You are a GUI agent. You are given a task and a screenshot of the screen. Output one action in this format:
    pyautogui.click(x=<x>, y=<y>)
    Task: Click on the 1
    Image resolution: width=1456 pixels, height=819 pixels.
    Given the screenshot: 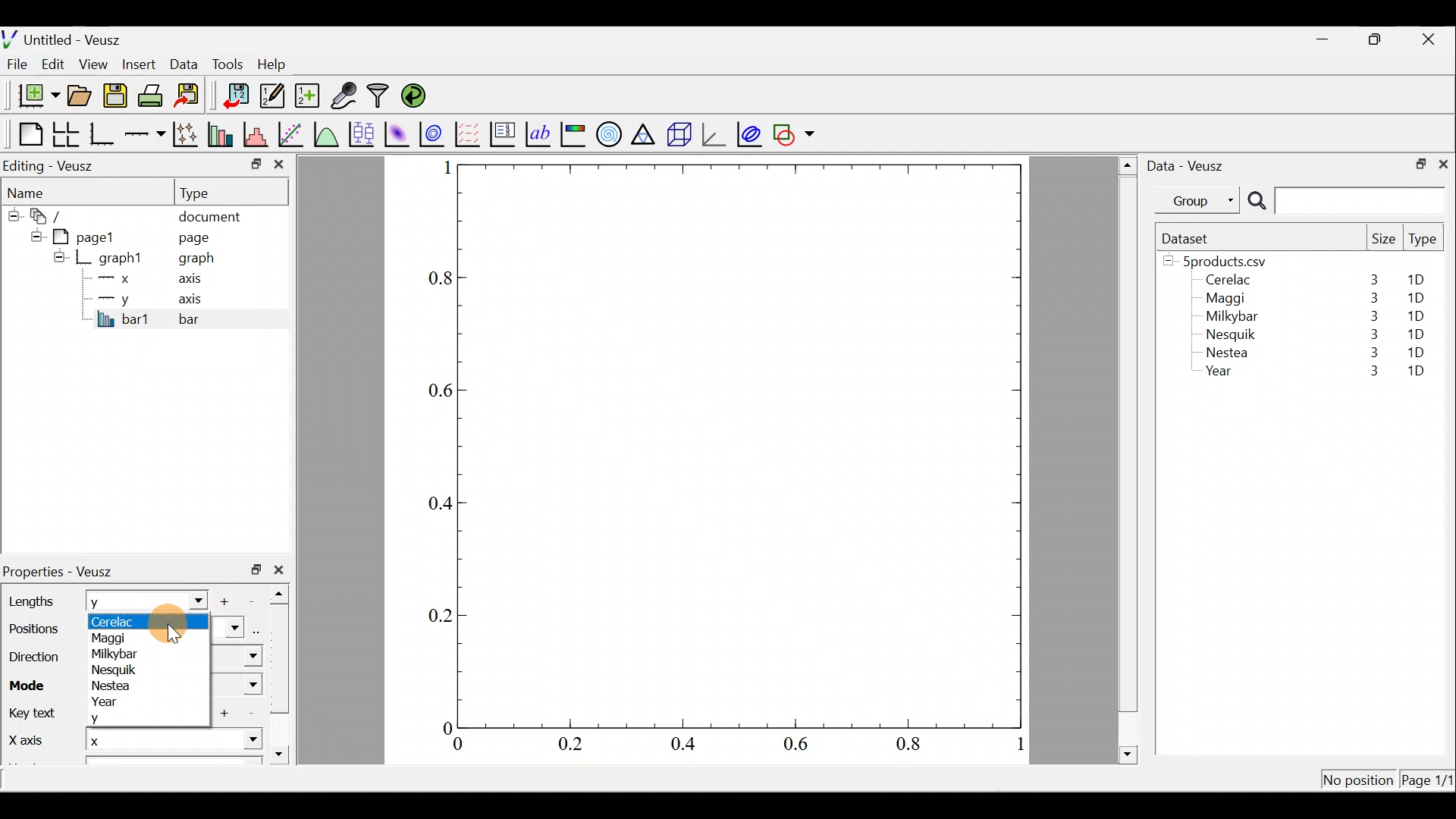 What is the action you would take?
    pyautogui.click(x=446, y=167)
    